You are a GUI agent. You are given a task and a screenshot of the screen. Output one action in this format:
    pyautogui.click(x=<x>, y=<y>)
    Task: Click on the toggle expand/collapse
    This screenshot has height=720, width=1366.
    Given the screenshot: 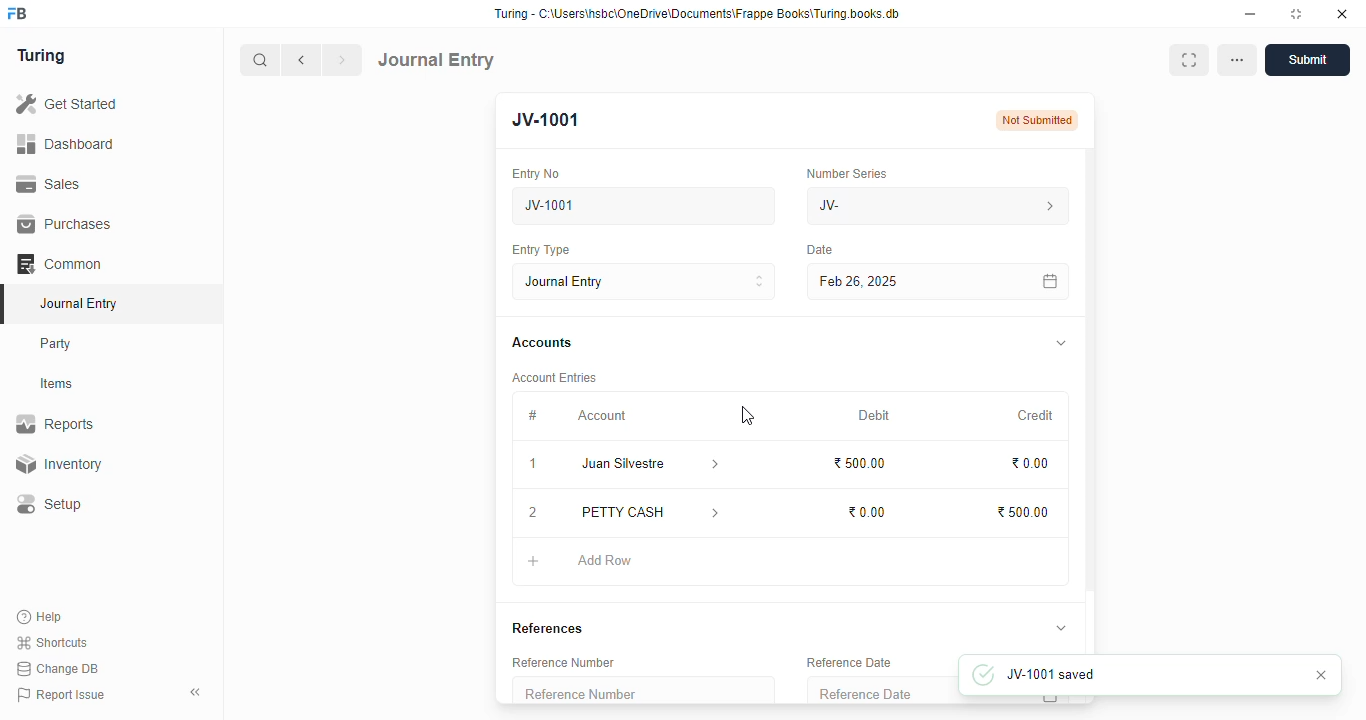 What is the action you would take?
    pyautogui.click(x=1062, y=627)
    